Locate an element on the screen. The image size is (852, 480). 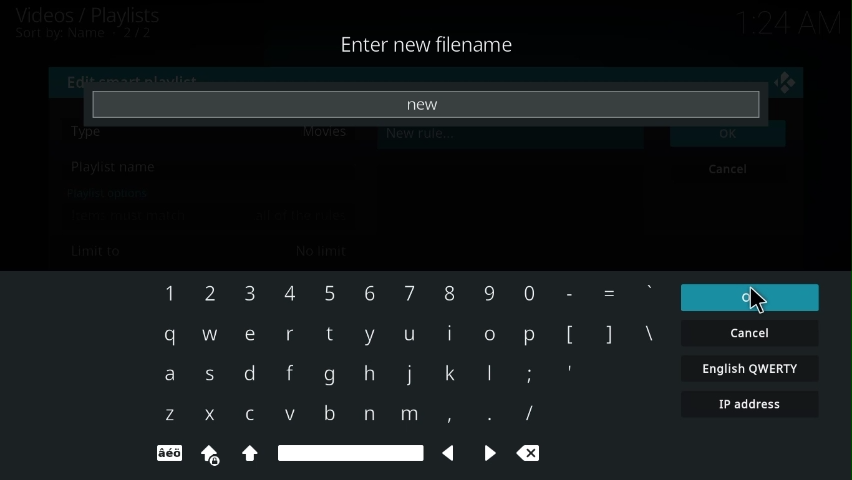
r is located at coordinates (288, 336).